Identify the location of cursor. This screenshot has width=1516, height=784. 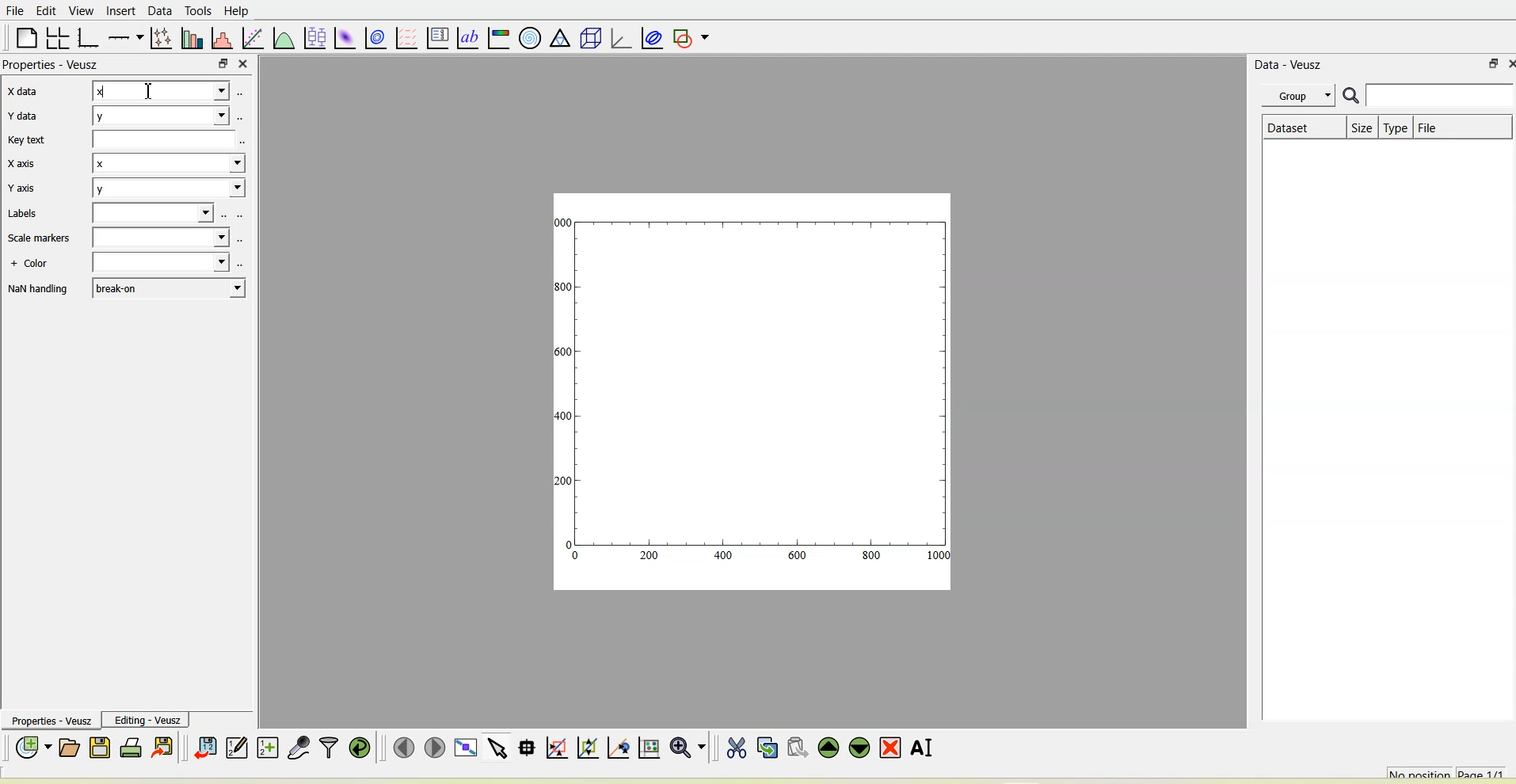
(150, 89).